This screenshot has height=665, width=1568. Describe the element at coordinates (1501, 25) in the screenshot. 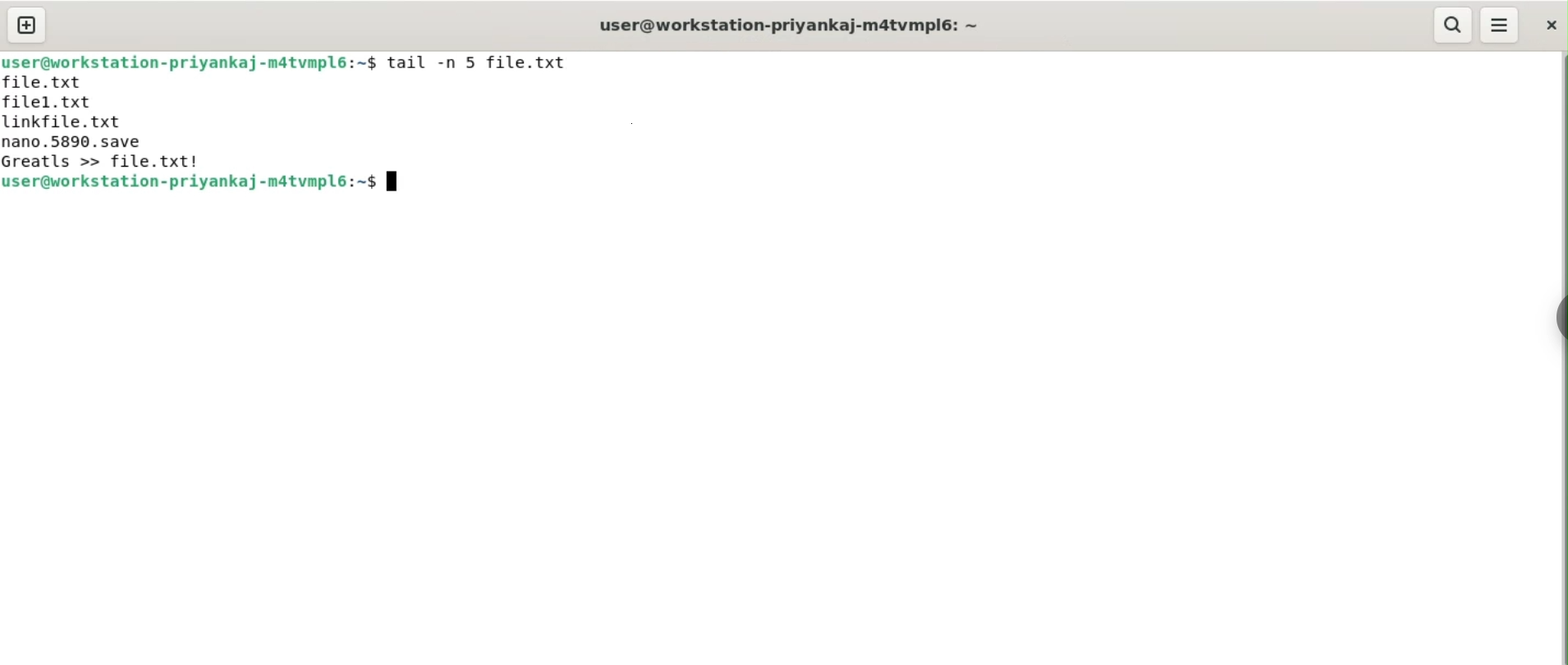

I see `menu` at that location.